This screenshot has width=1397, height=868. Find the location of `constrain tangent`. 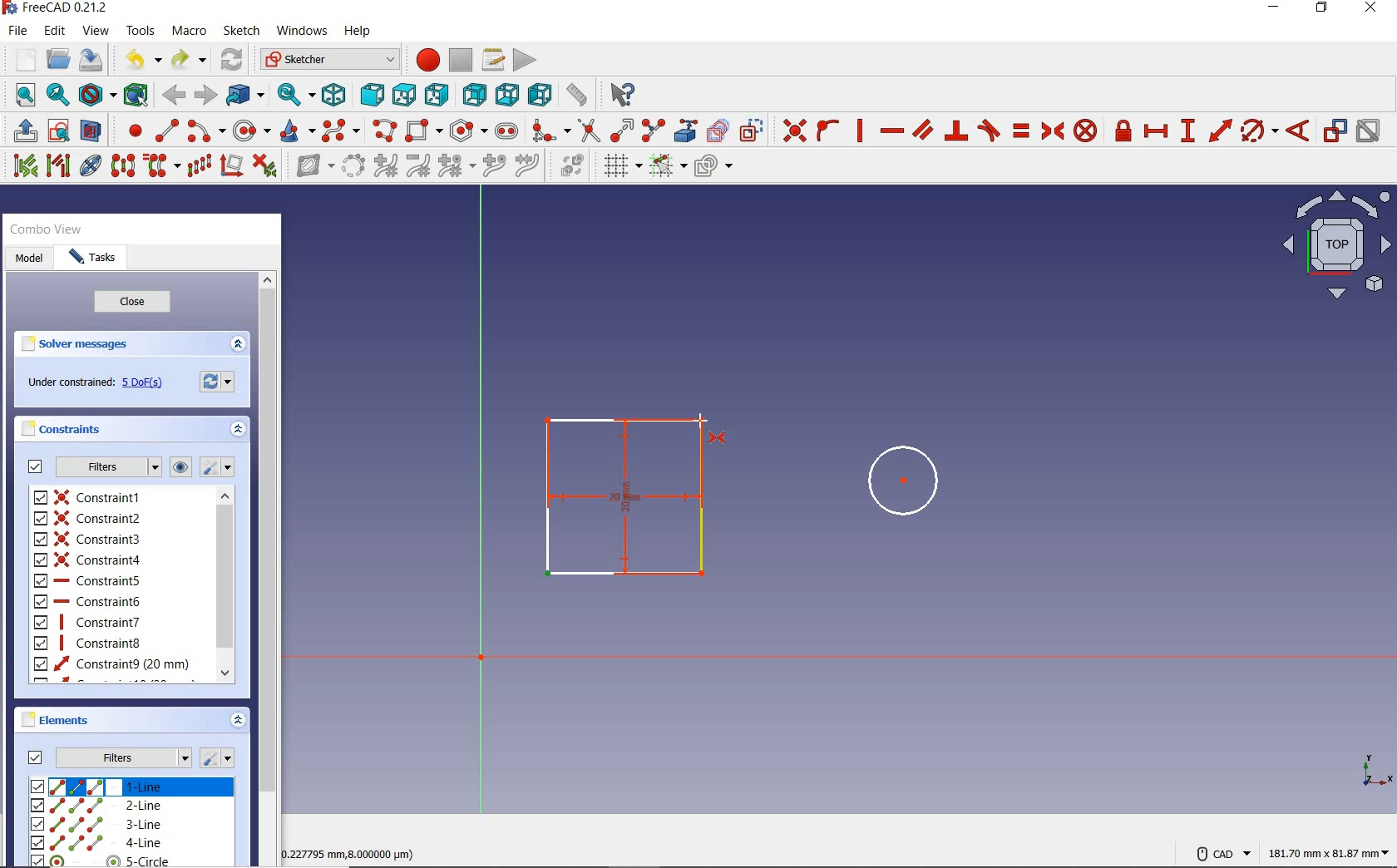

constrain tangent is located at coordinates (989, 131).